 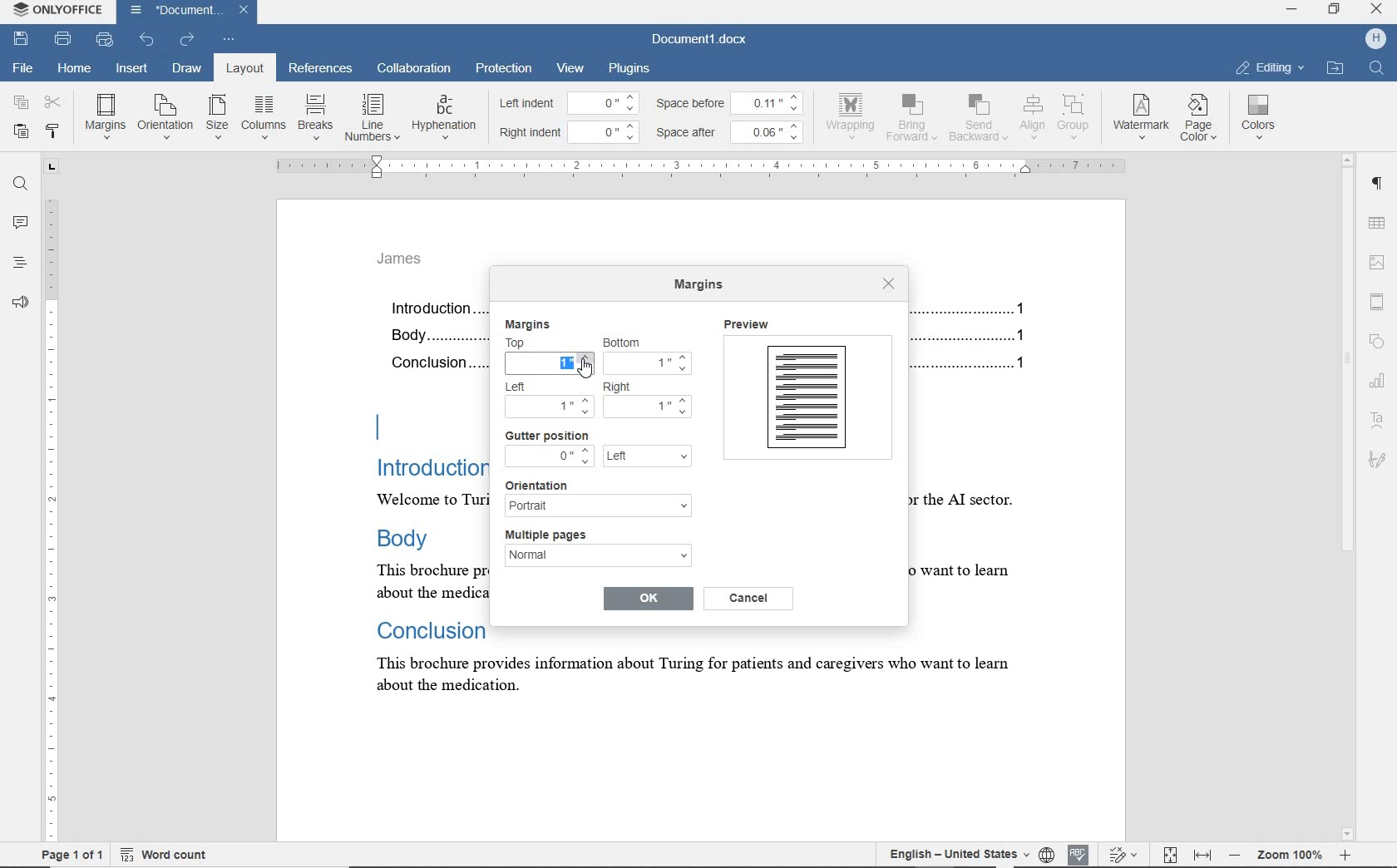 What do you see at coordinates (623, 387) in the screenshot?
I see `right` at bounding box center [623, 387].